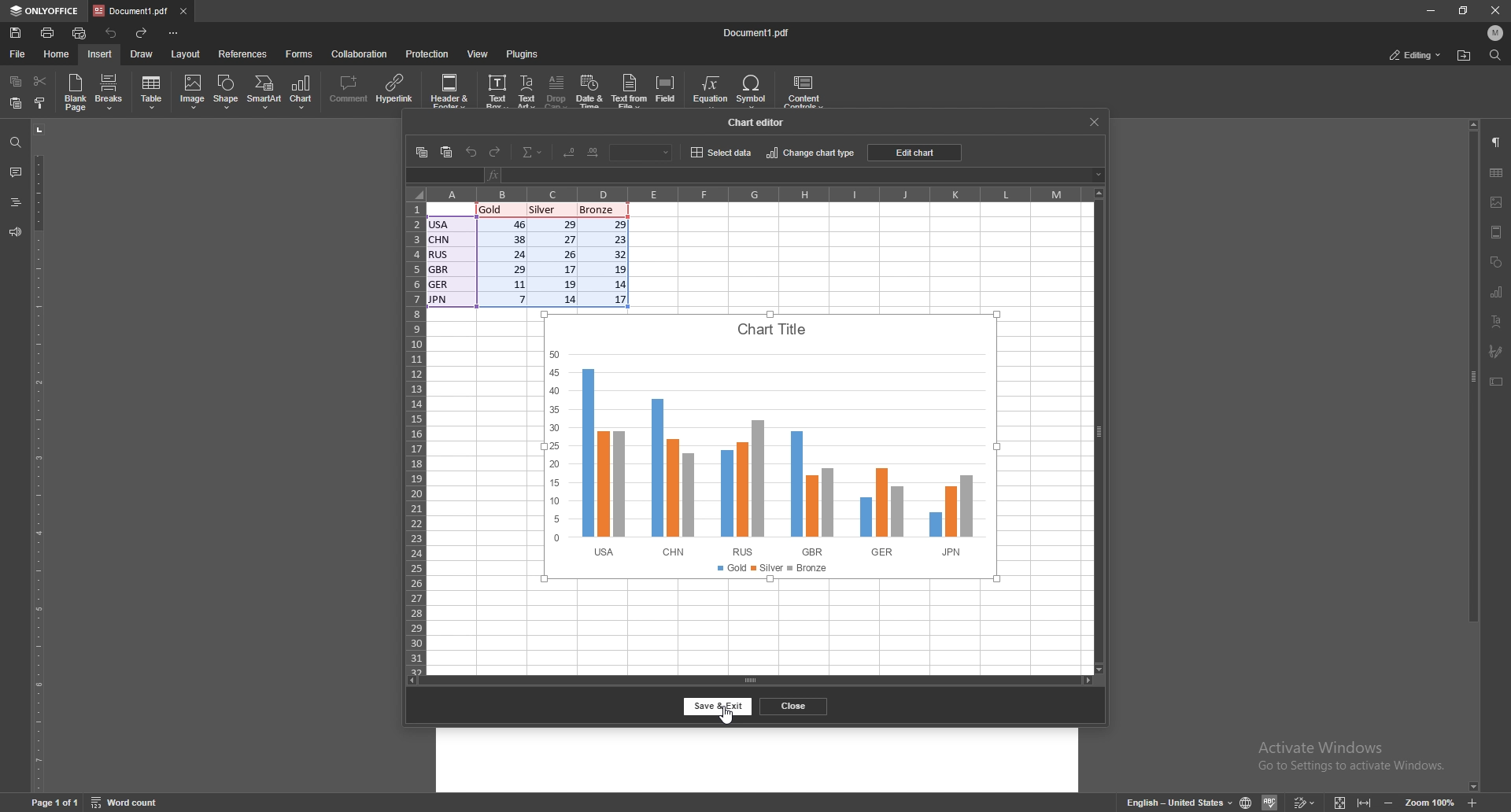 The width and height of the screenshot is (1511, 812). Describe the element at coordinates (15, 103) in the screenshot. I see `paste` at that location.